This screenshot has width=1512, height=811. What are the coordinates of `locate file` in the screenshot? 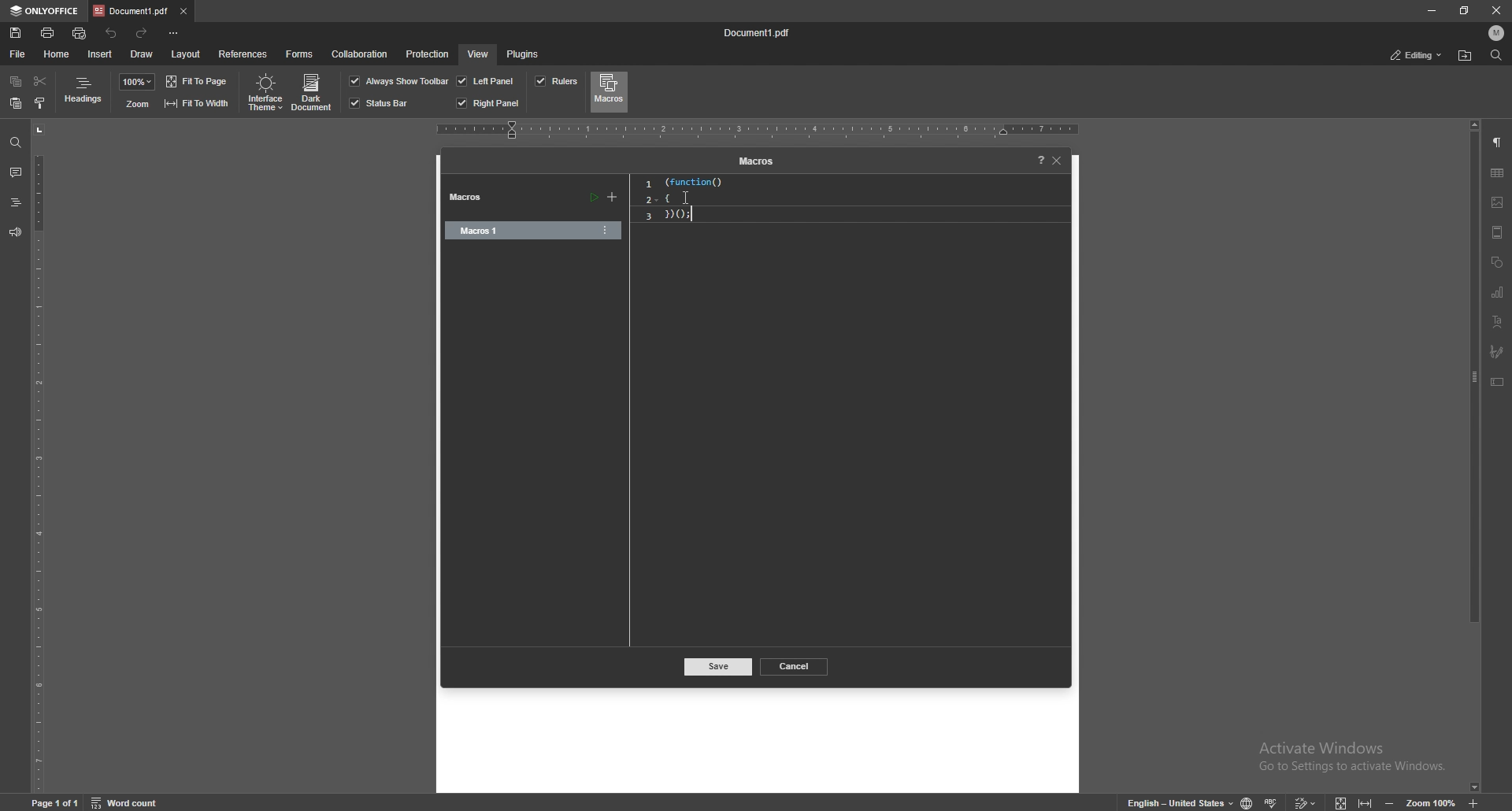 It's located at (1466, 55).